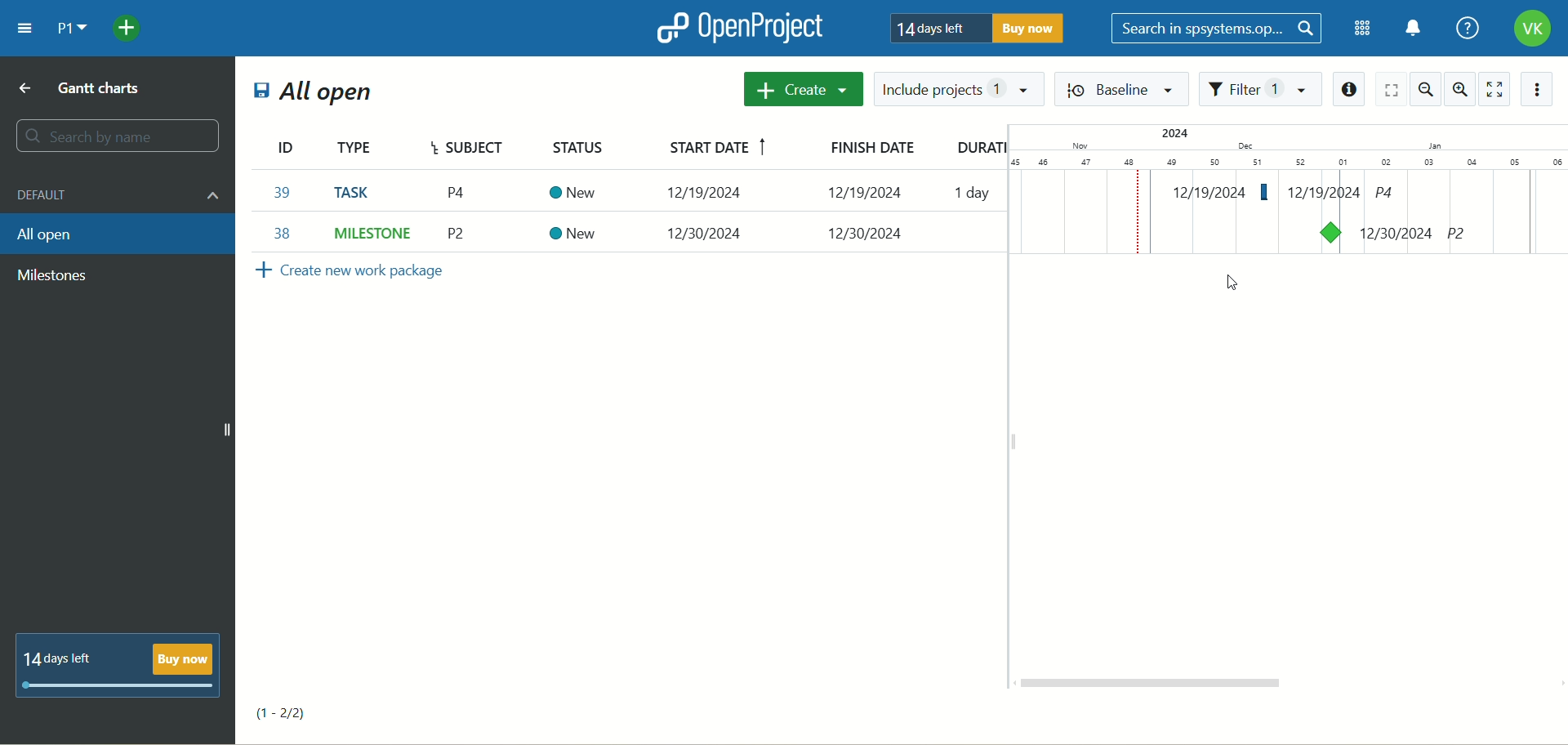 This screenshot has width=1568, height=745. I want to click on 1 day, so click(977, 198).